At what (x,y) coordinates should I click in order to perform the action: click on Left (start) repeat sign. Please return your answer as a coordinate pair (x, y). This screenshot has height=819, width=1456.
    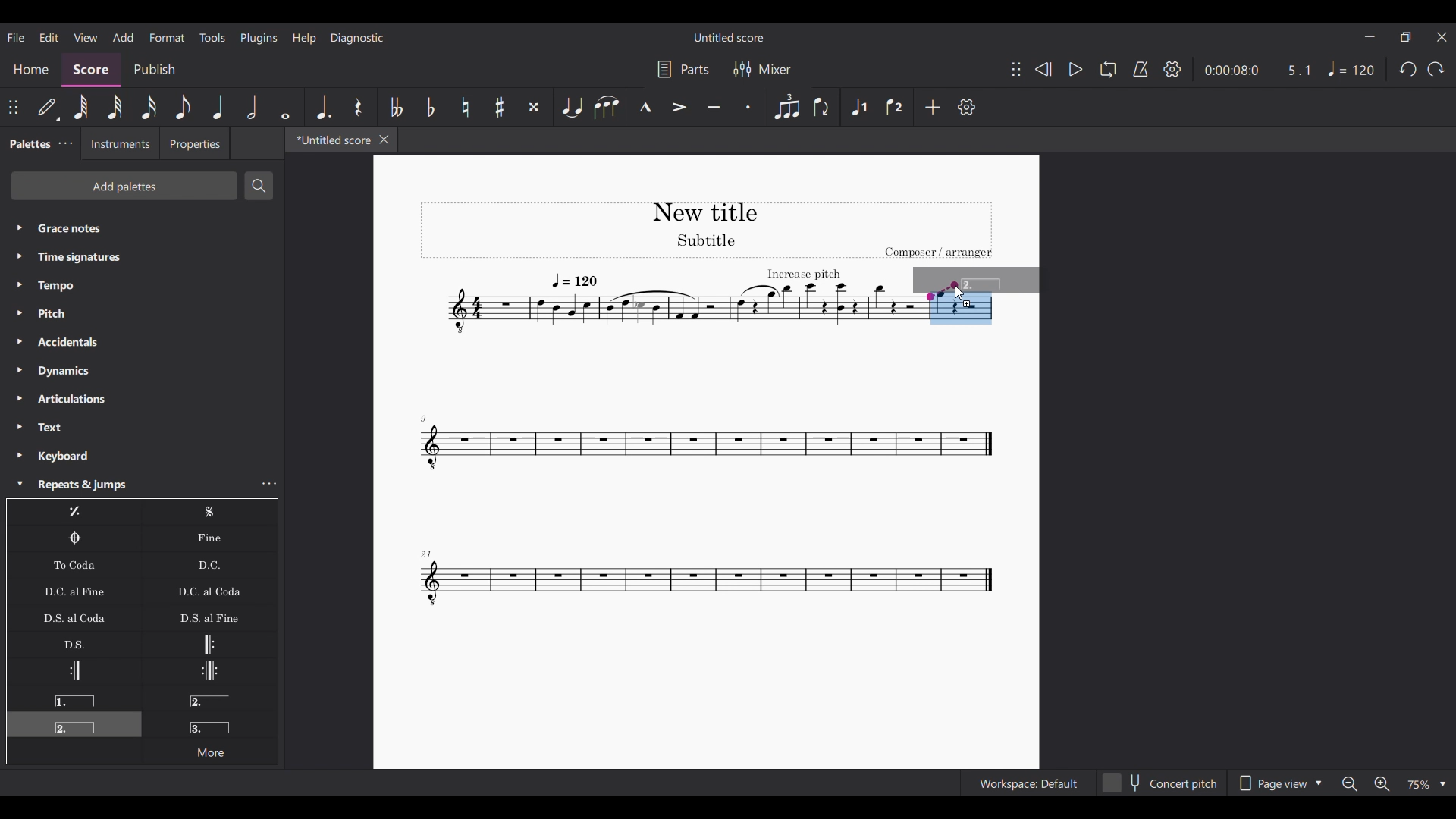
    Looking at the image, I should click on (209, 644).